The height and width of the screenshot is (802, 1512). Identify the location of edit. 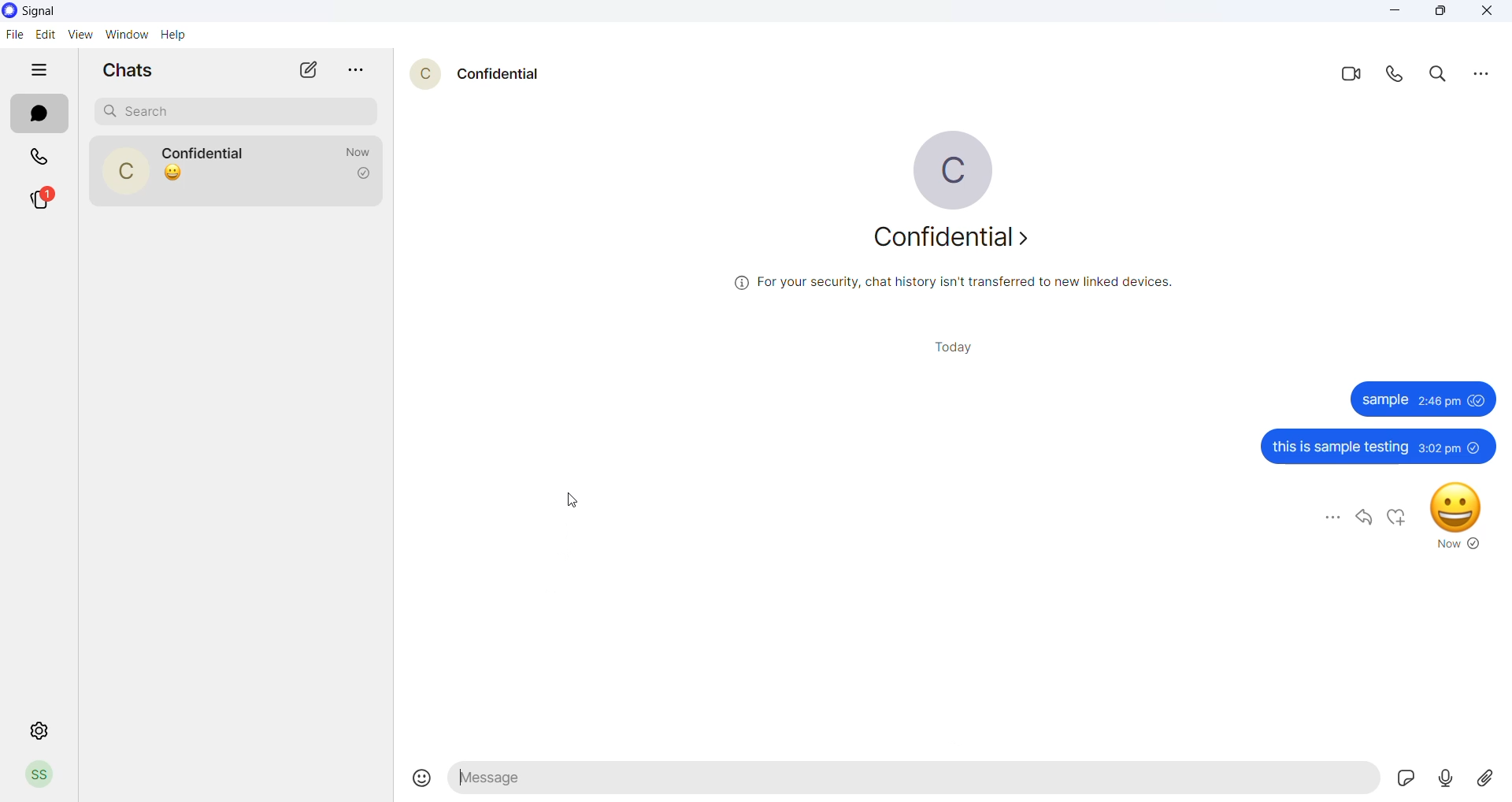
(46, 33).